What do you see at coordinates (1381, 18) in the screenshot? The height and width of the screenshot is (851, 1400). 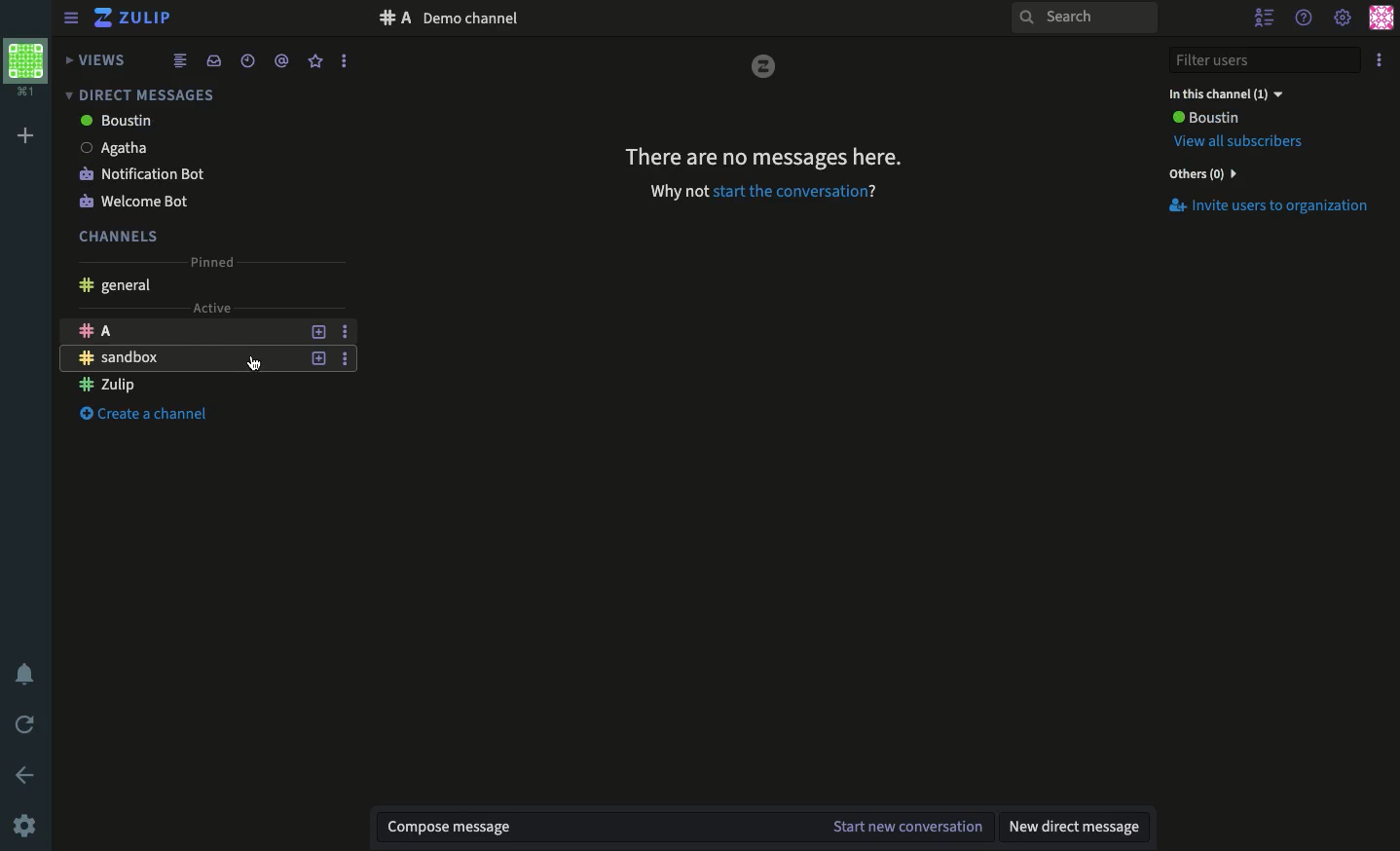 I see `Profile` at bounding box center [1381, 18].